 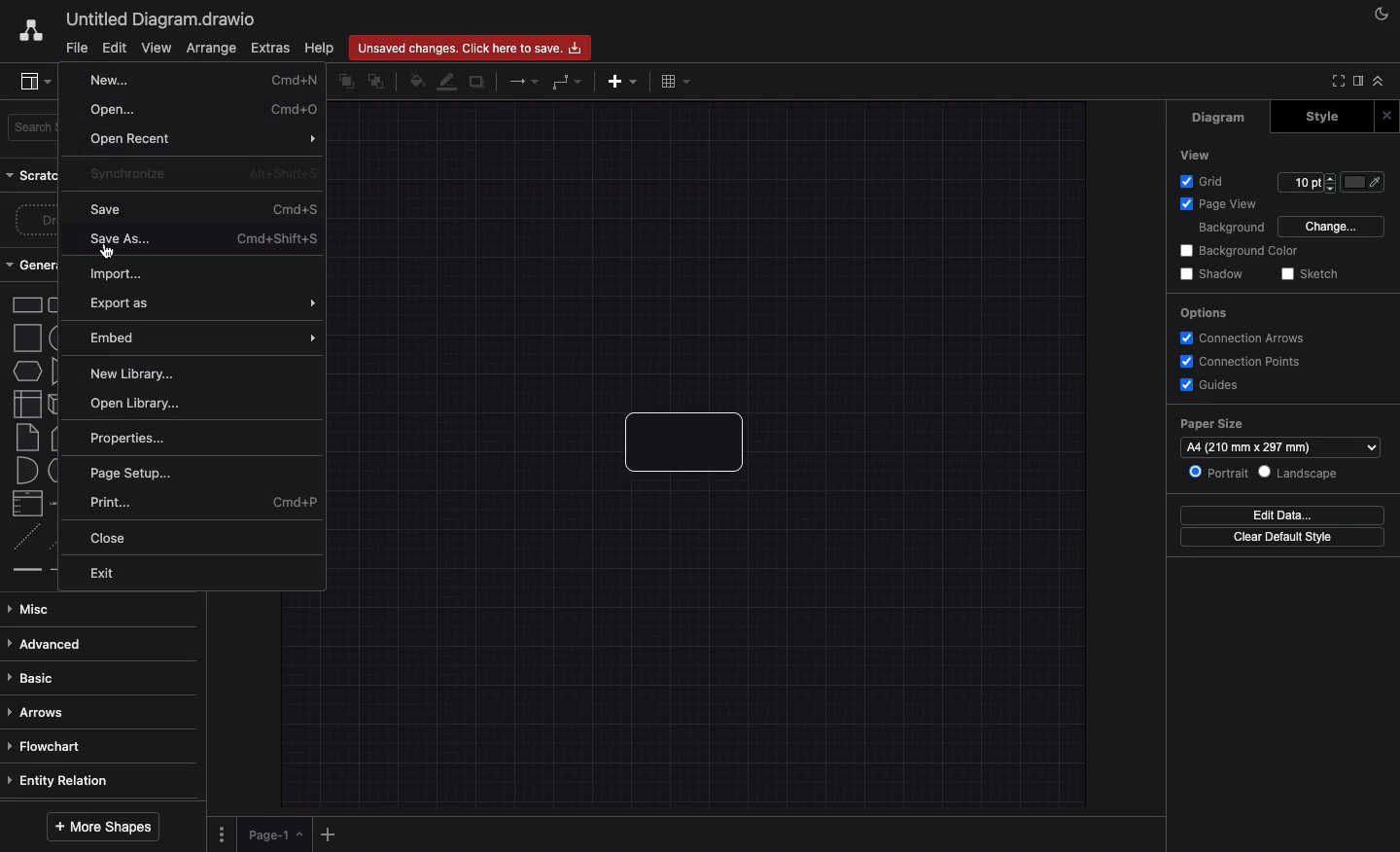 What do you see at coordinates (1387, 117) in the screenshot?
I see `Close` at bounding box center [1387, 117].